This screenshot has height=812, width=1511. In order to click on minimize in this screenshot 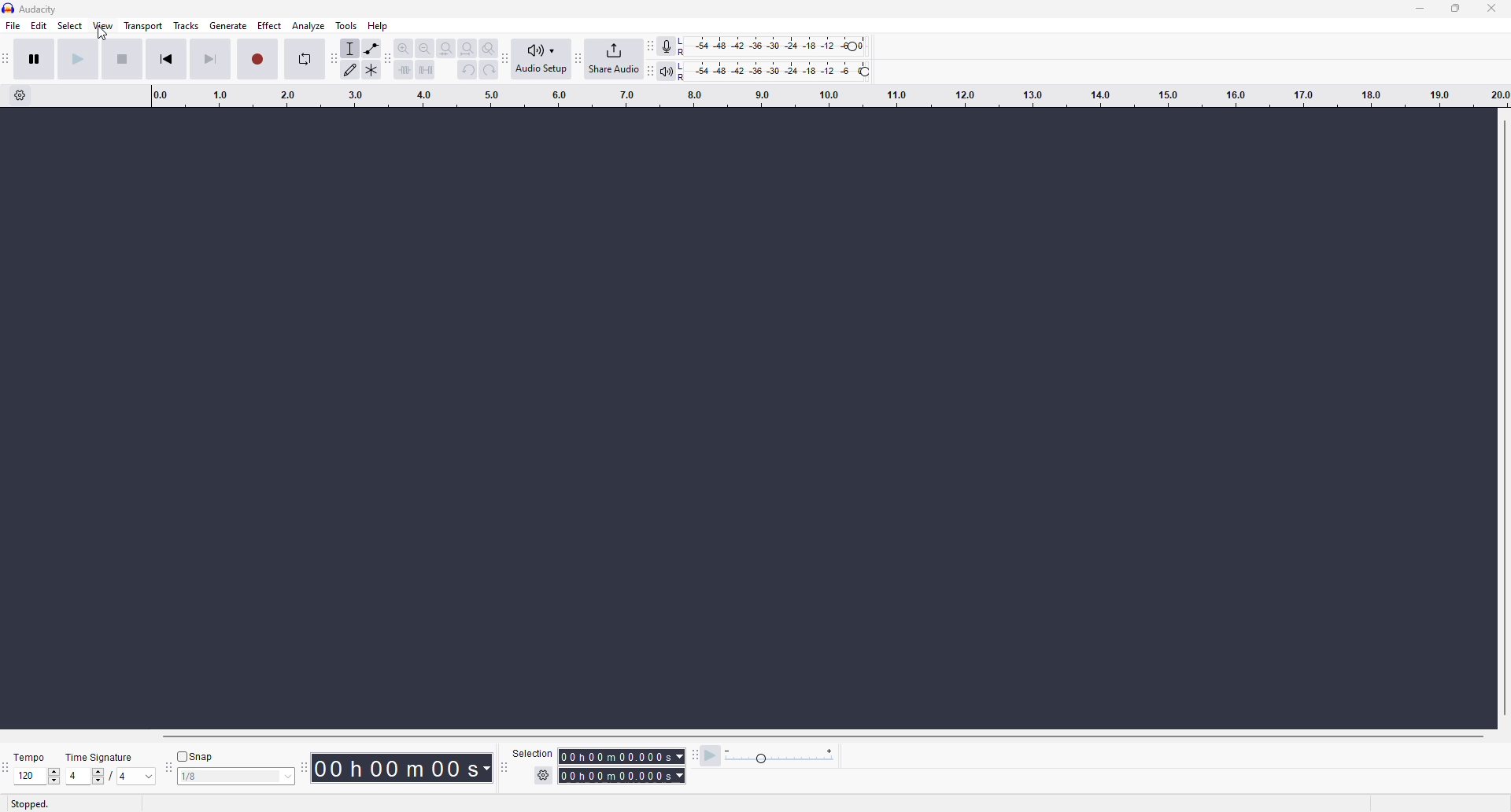, I will do `click(1419, 9)`.